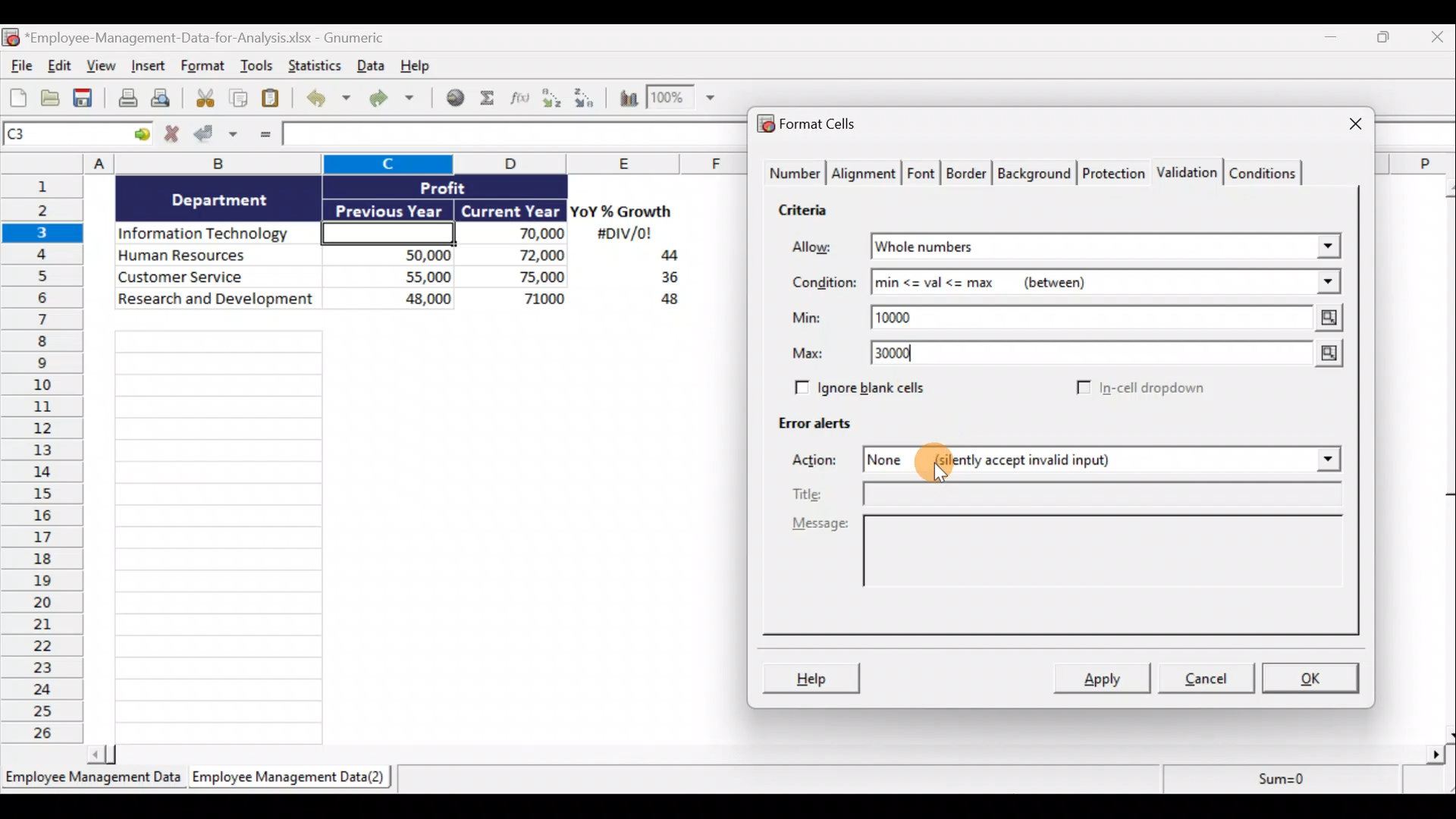 Image resolution: width=1456 pixels, height=819 pixels. What do you see at coordinates (408, 531) in the screenshot?
I see `Cells` at bounding box center [408, 531].